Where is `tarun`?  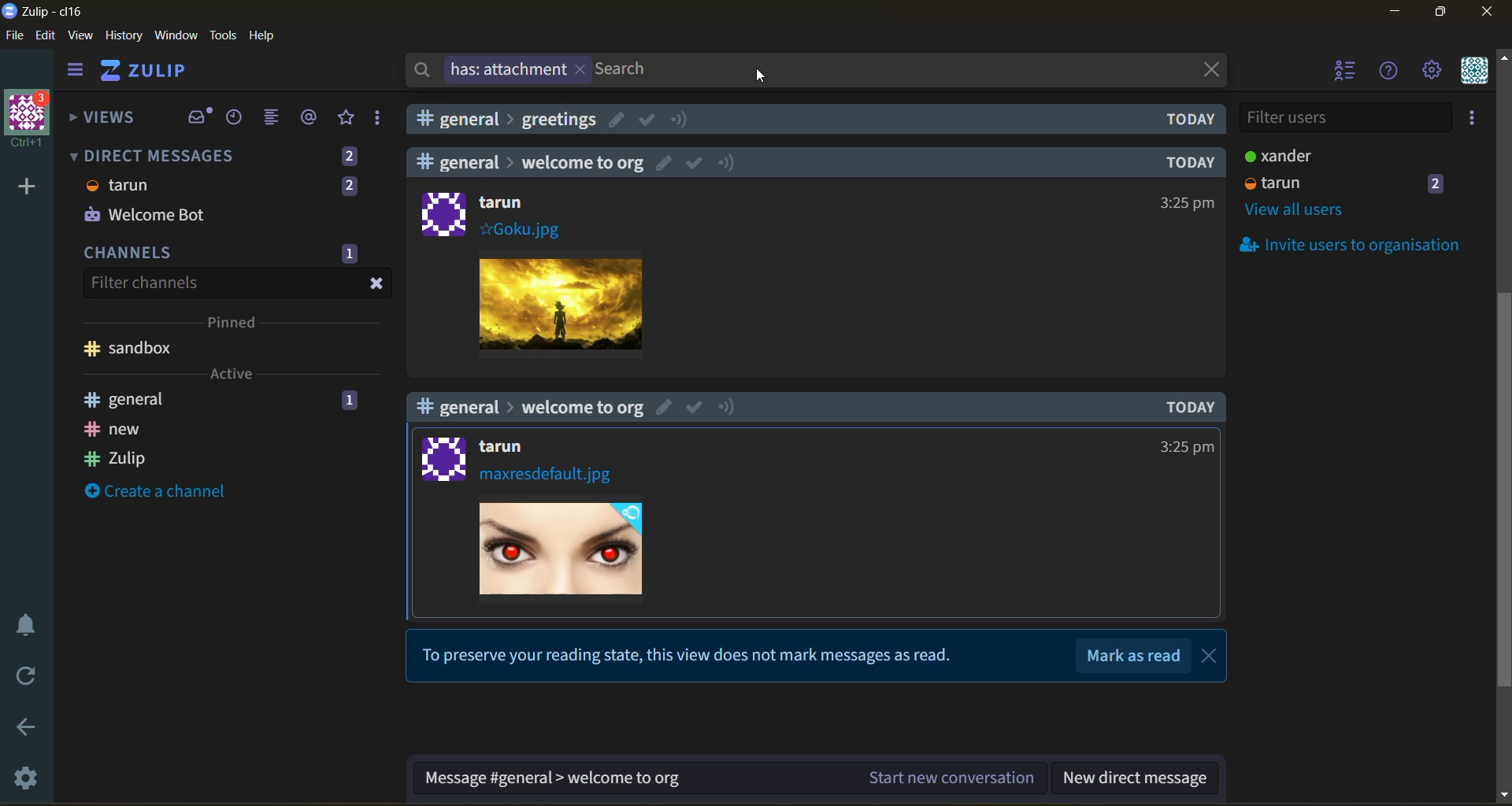 tarun is located at coordinates (119, 185).